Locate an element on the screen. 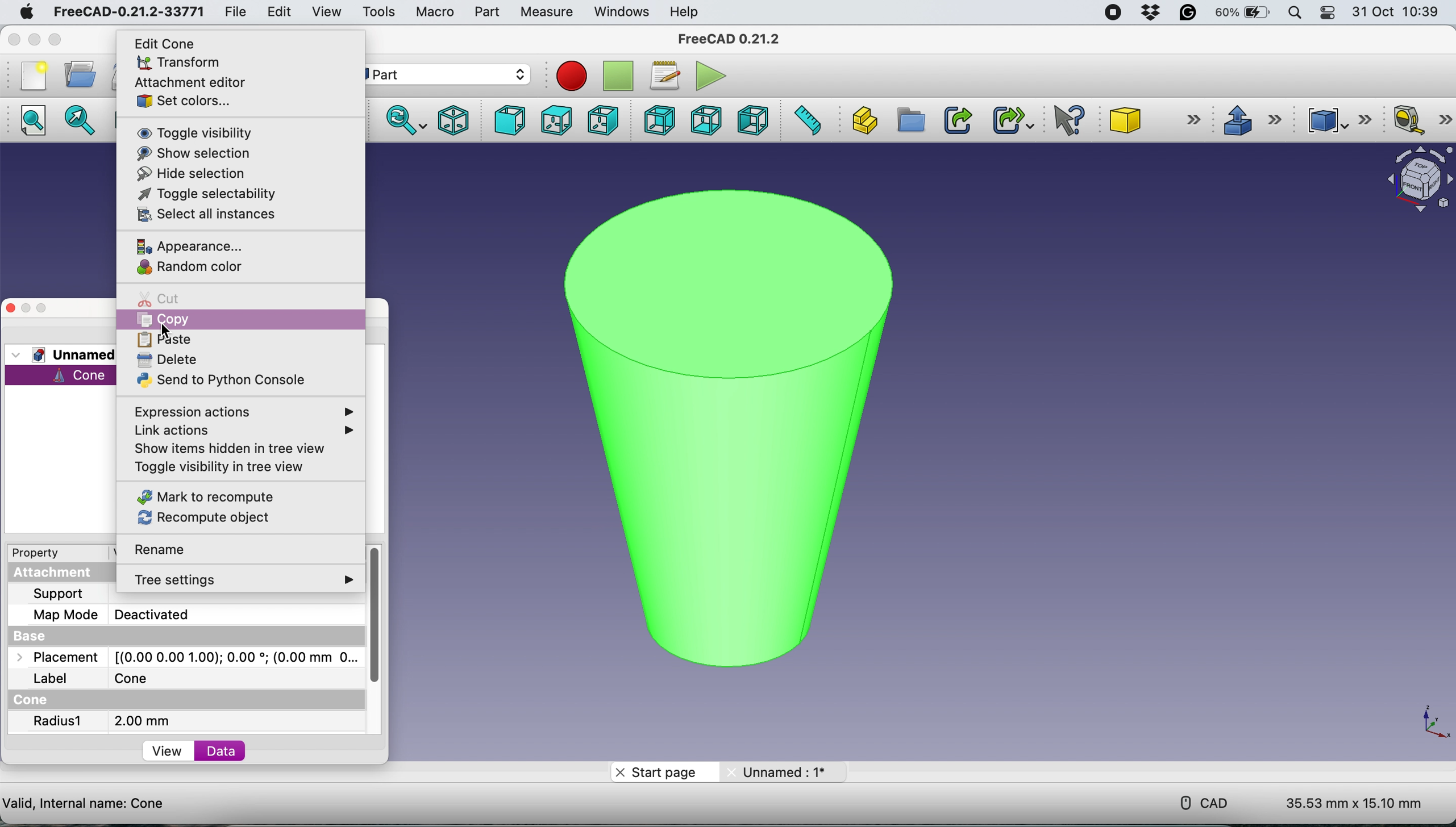 The height and width of the screenshot is (827, 1456). select all instances is located at coordinates (204, 215).